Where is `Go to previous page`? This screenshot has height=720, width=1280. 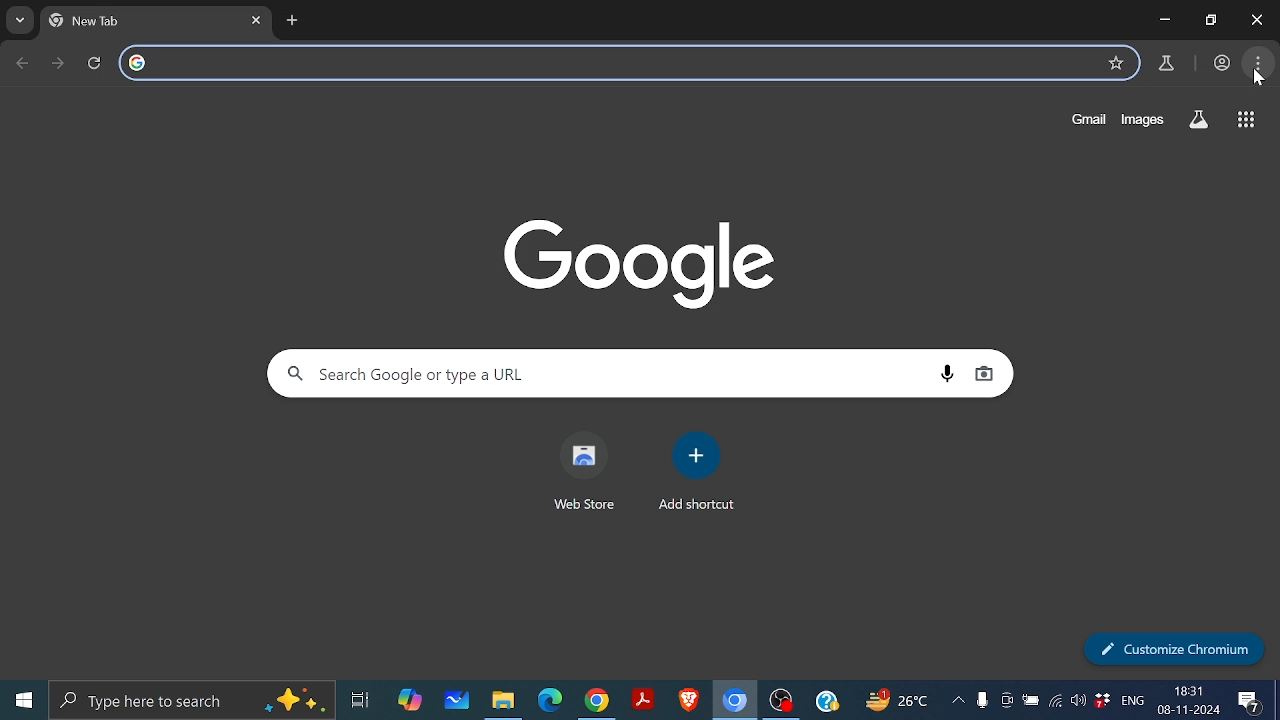
Go to previous page is located at coordinates (24, 63).